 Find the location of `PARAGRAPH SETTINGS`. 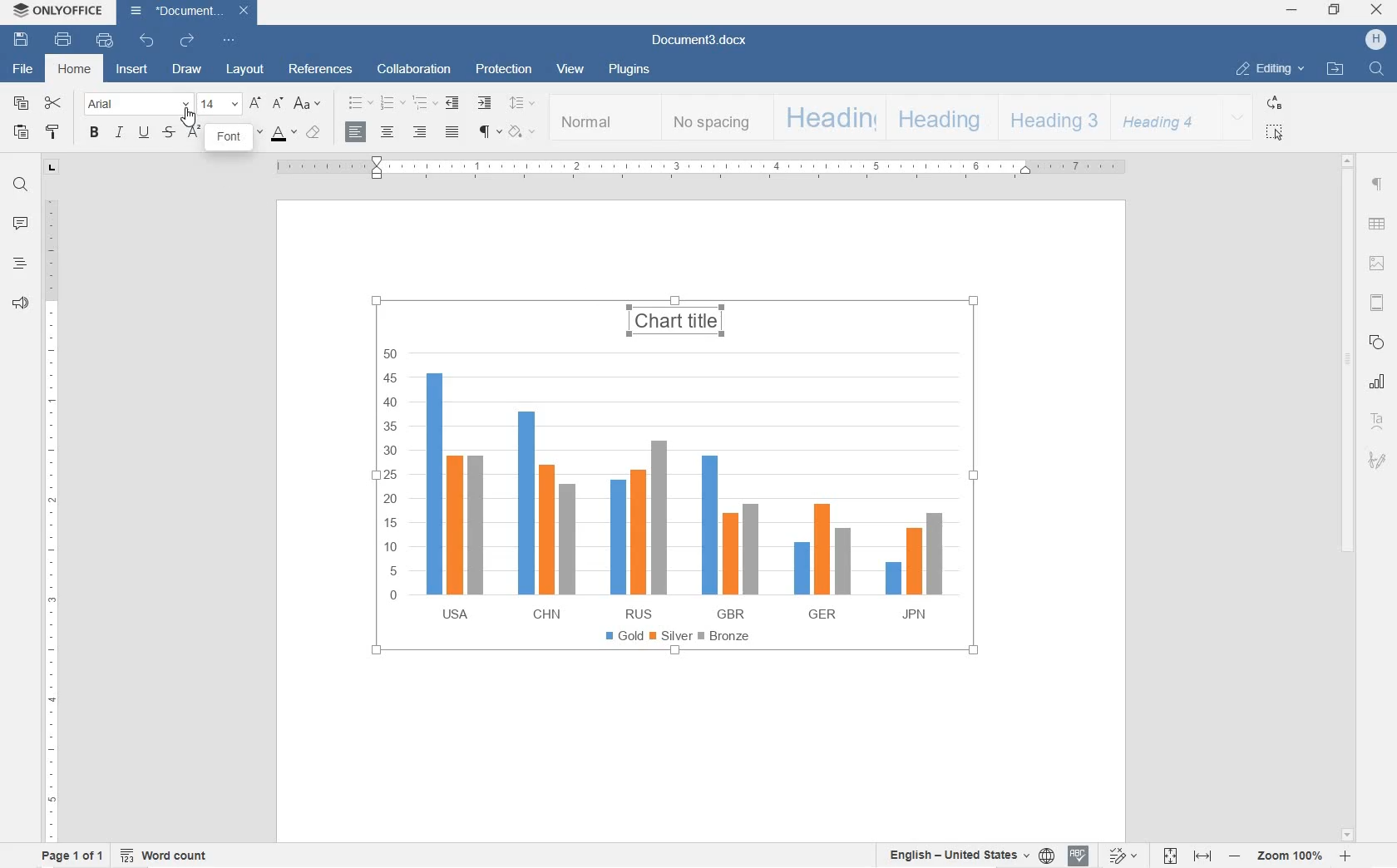

PARAGRAPH SETTINGS is located at coordinates (1377, 184).